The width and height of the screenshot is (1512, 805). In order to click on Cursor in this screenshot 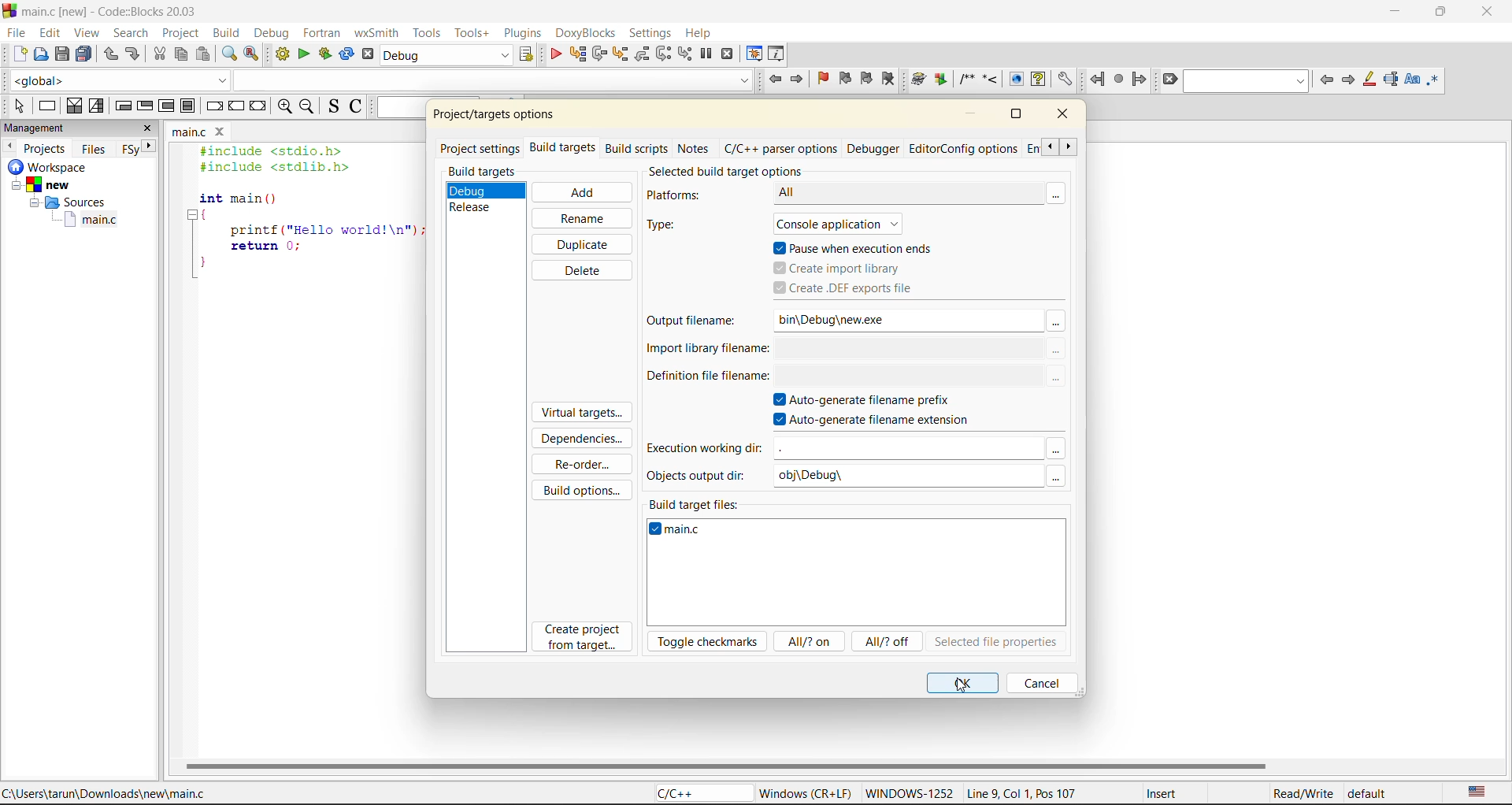, I will do `click(961, 688)`.